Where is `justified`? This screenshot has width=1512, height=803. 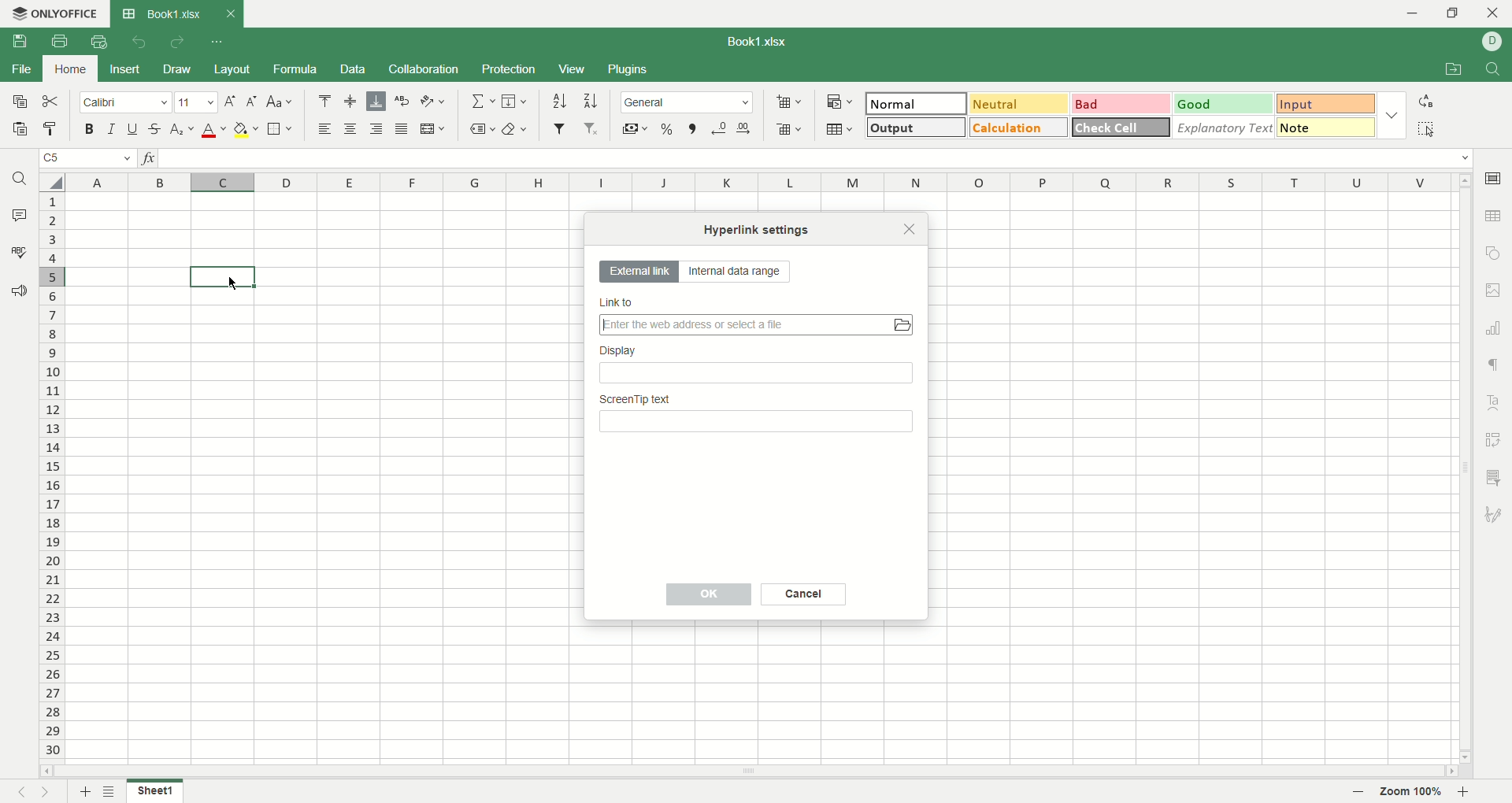 justified is located at coordinates (404, 130).